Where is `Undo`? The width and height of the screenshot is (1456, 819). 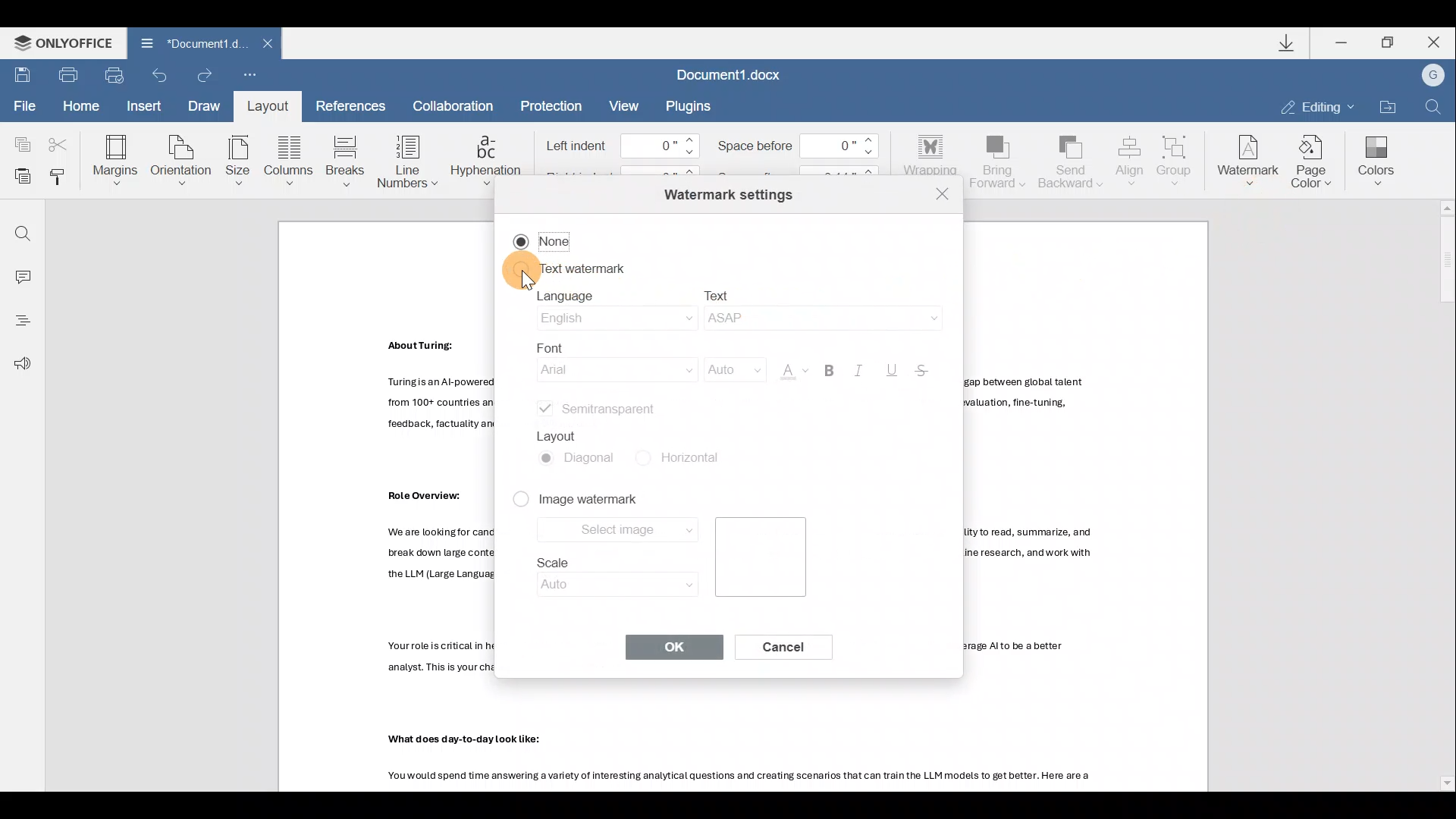 Undo is located at coordinates (162, 75).